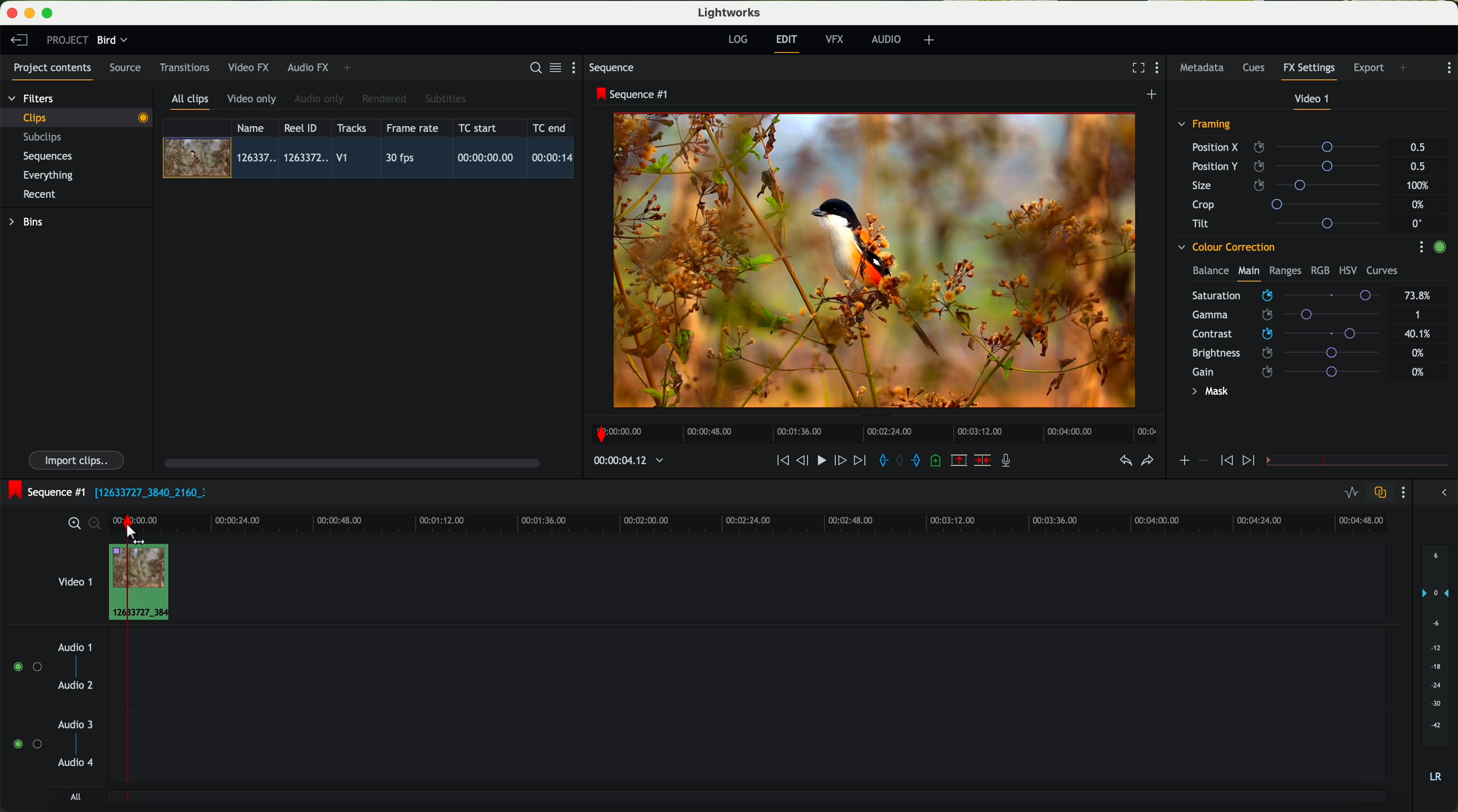 This screenshot has height=812, width=1458. I want to click on recent, so click(40, 196).